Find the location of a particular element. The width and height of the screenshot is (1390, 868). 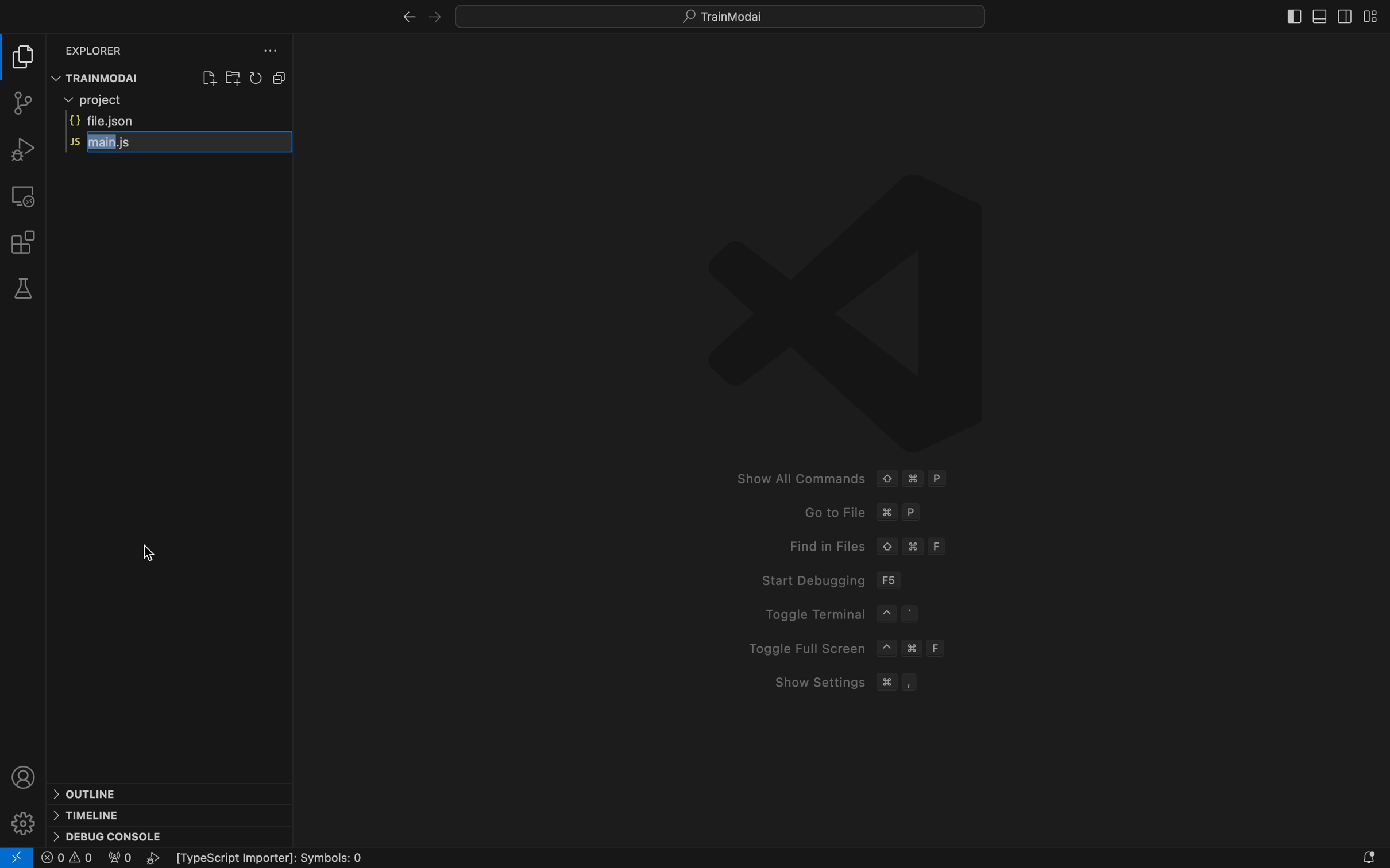

tests is located at coordinates (23, 286).